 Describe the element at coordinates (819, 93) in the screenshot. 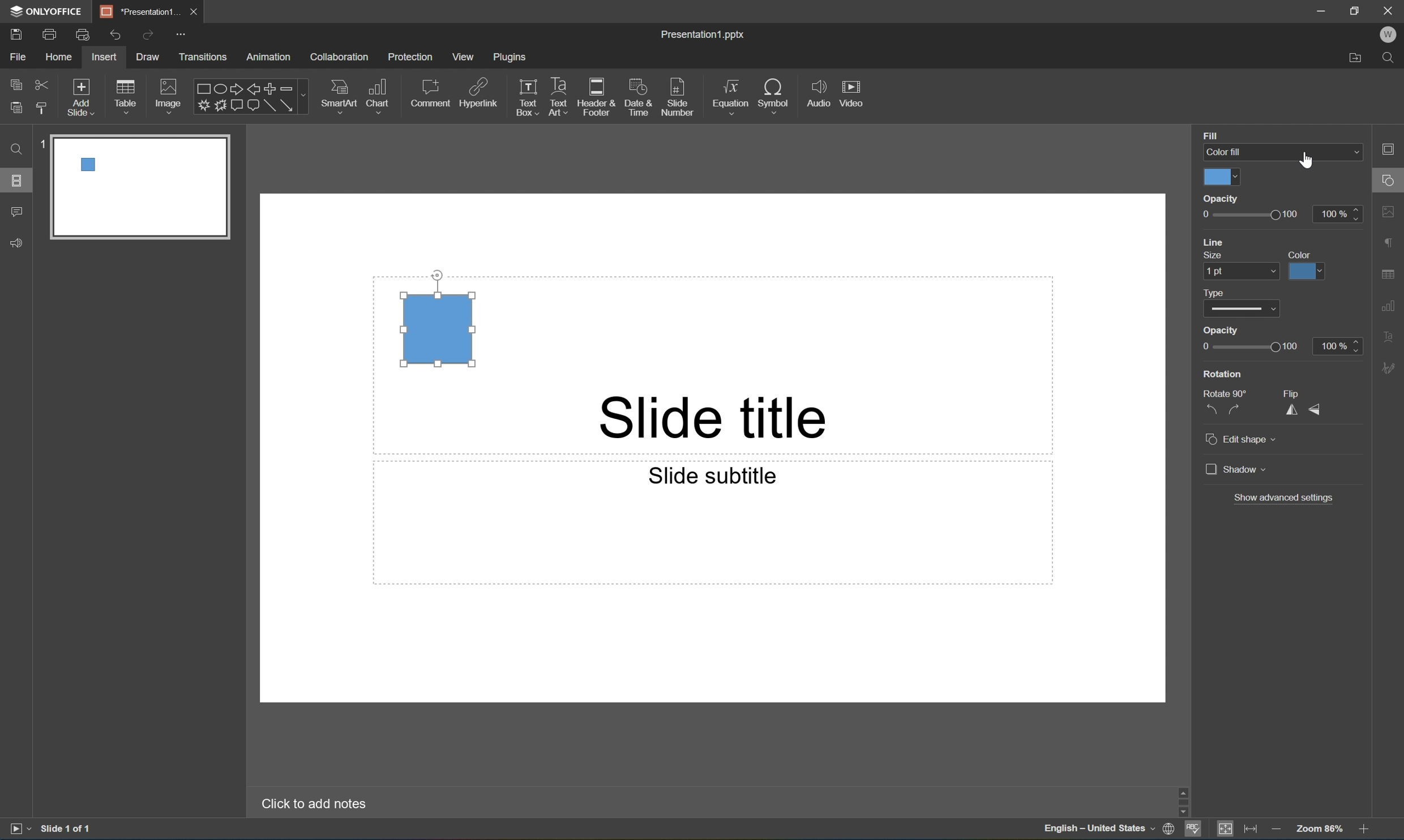

I see `Audio` at that location.